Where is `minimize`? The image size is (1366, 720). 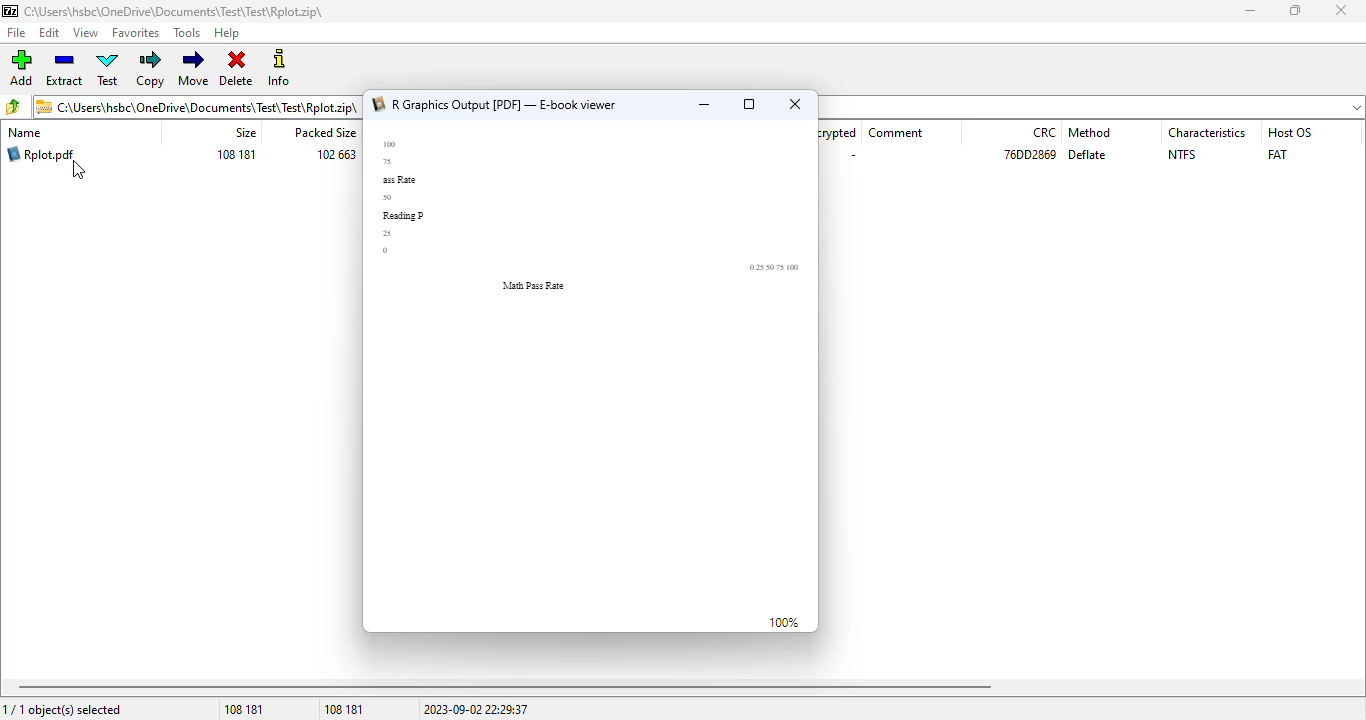
minimize is located at coordinates (1249, 11).